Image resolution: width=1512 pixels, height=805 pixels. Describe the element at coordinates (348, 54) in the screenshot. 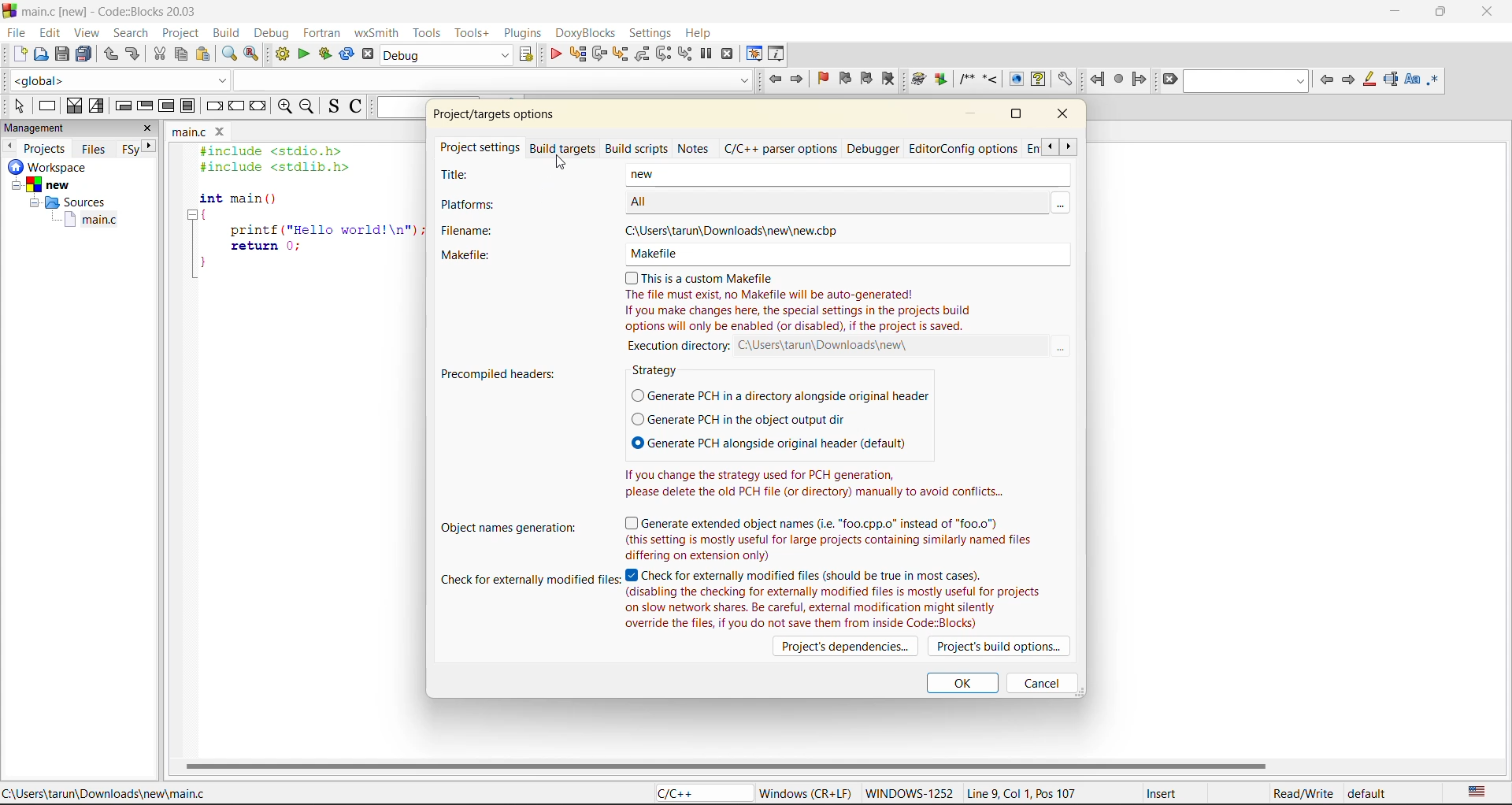

I see `rebuild` at that location.